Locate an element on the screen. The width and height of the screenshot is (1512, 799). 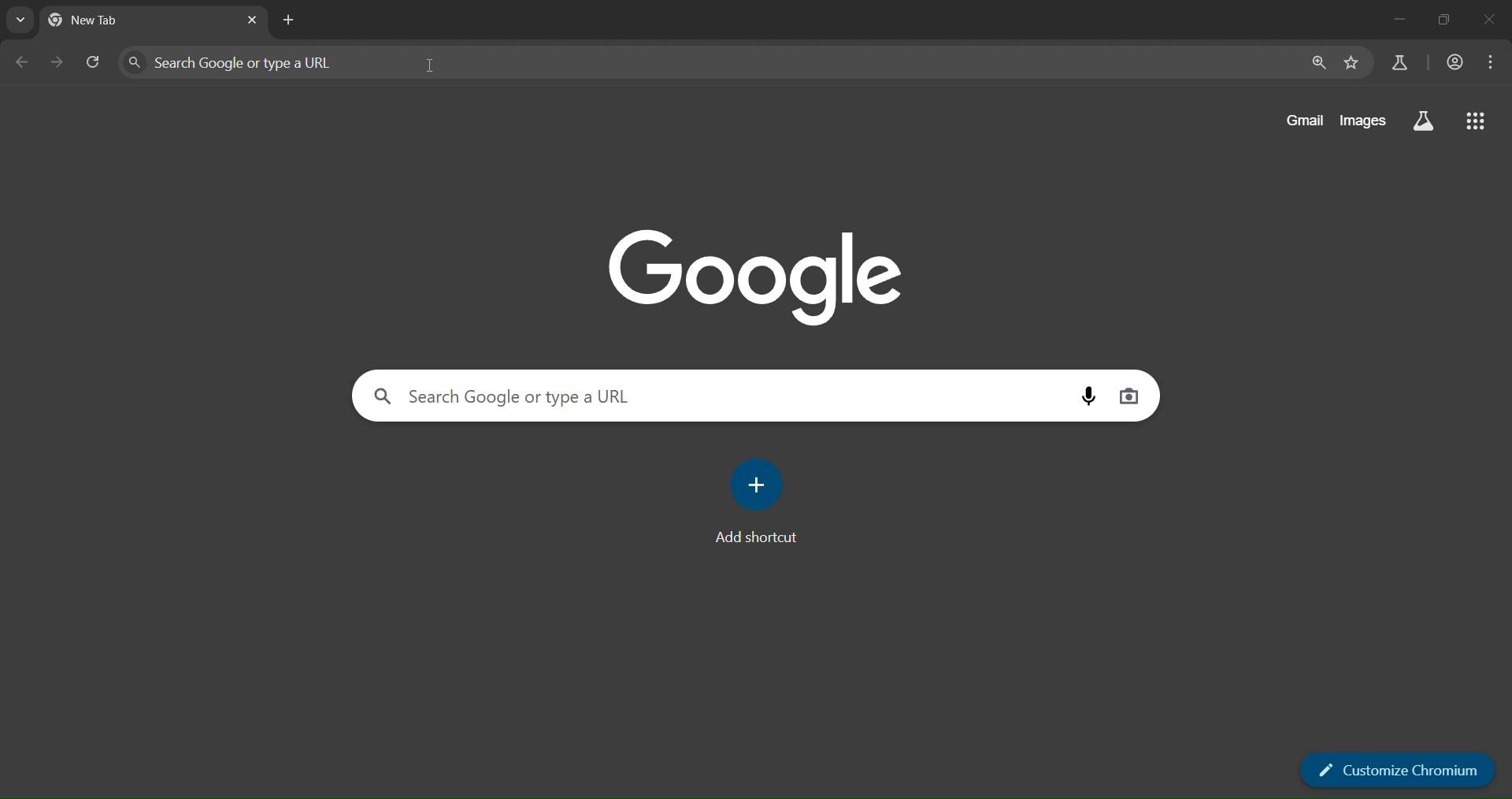
close tab is located at coordinates (252, 22).